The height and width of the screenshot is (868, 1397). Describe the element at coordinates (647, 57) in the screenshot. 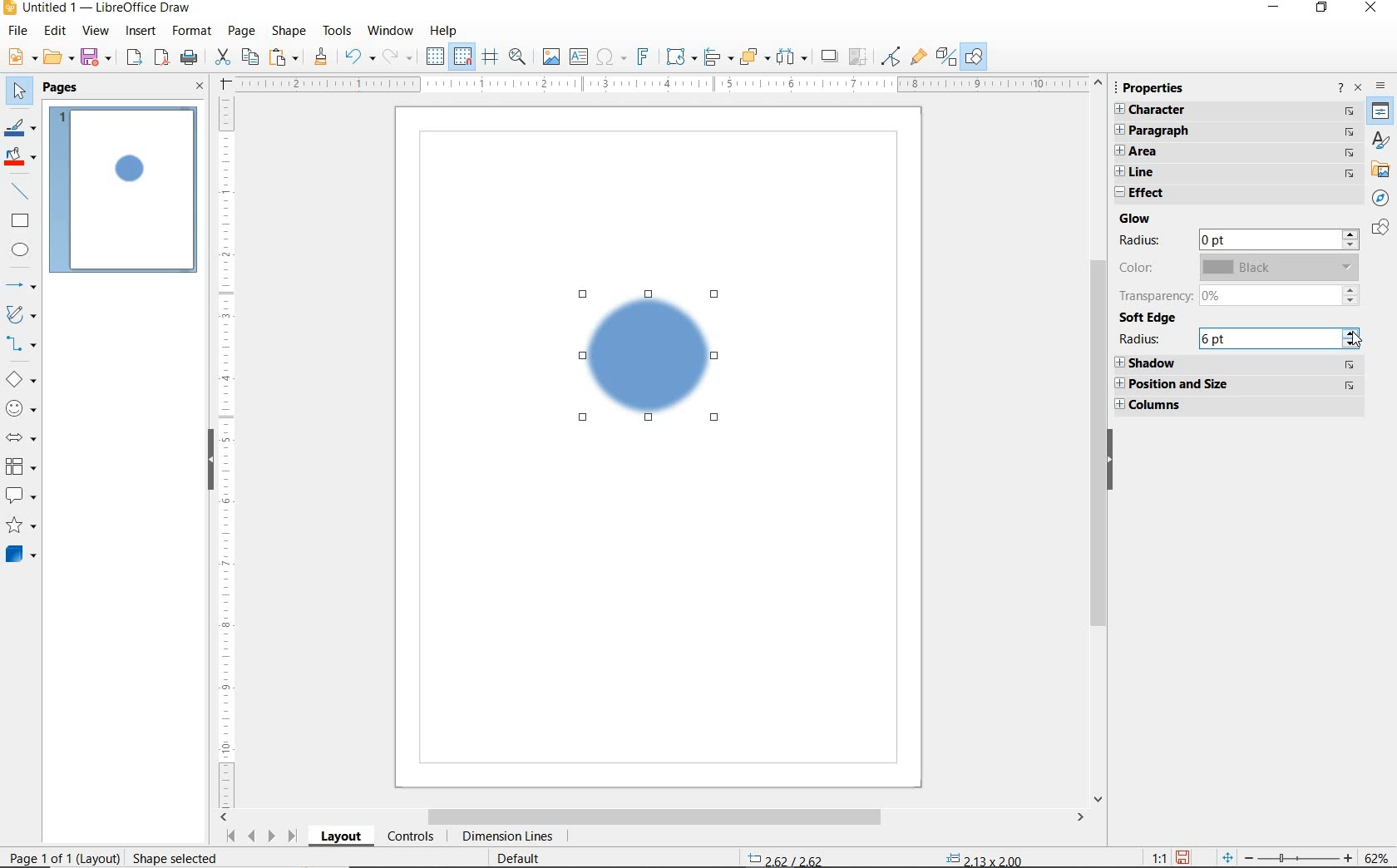

I see `INSERT FRONTWORK TEXT` at that location.